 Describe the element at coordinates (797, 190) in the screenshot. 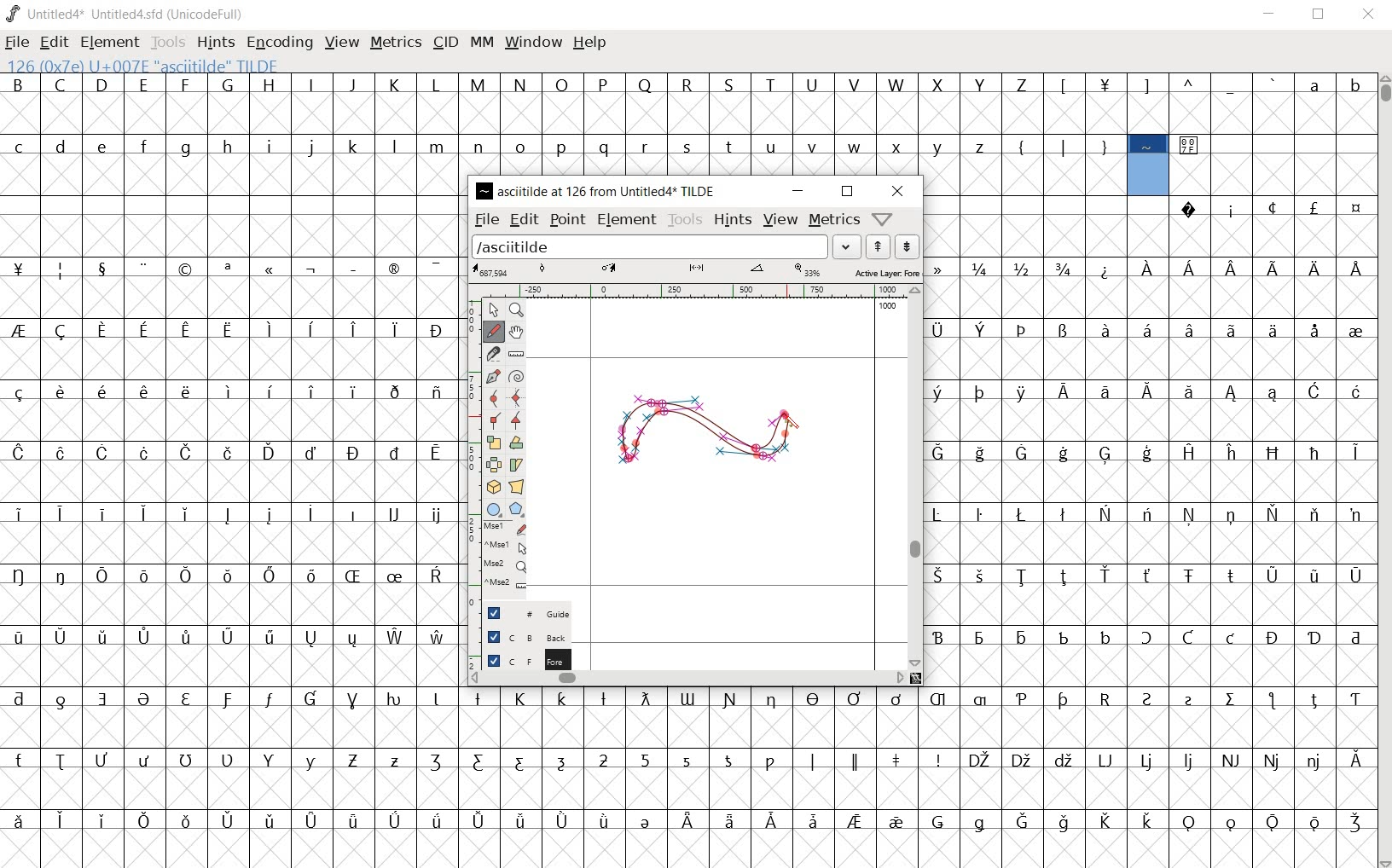

I see `minimize` at that location.